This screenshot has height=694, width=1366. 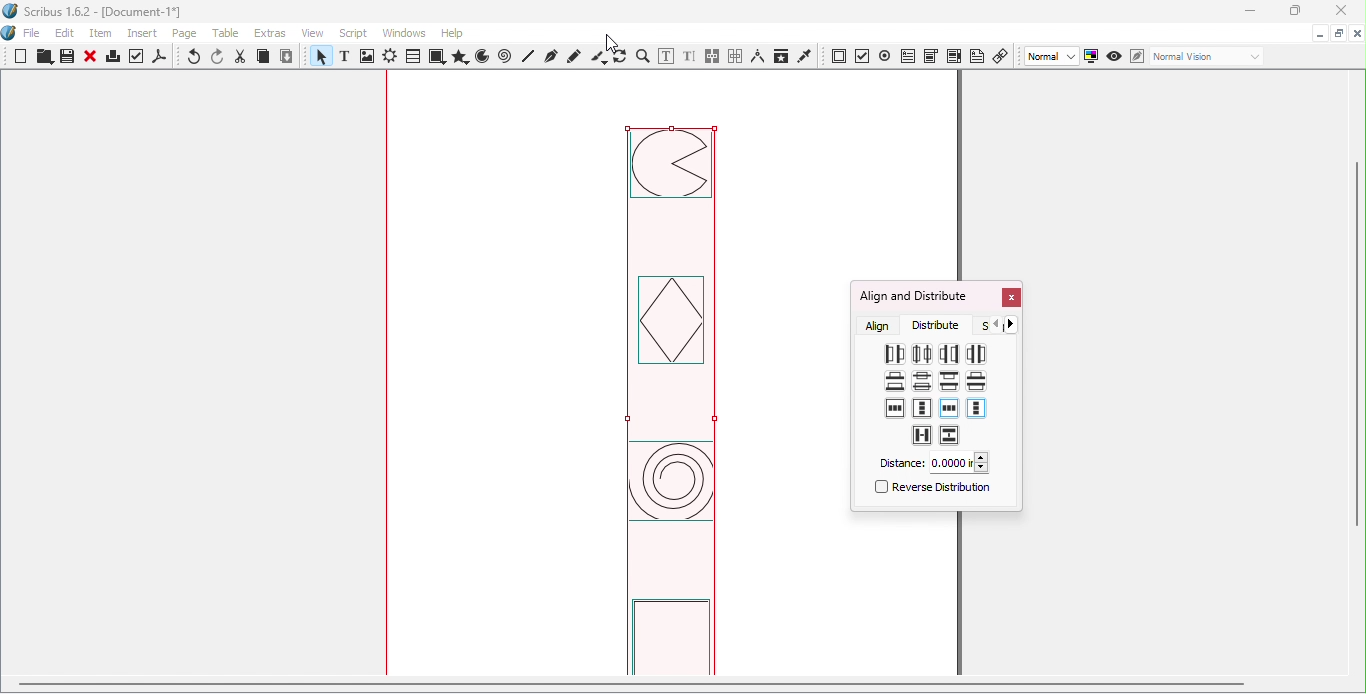 What do you see at coordinates (317, 32) in the screenshot?
I see `View` at bounding box center [317, 32].